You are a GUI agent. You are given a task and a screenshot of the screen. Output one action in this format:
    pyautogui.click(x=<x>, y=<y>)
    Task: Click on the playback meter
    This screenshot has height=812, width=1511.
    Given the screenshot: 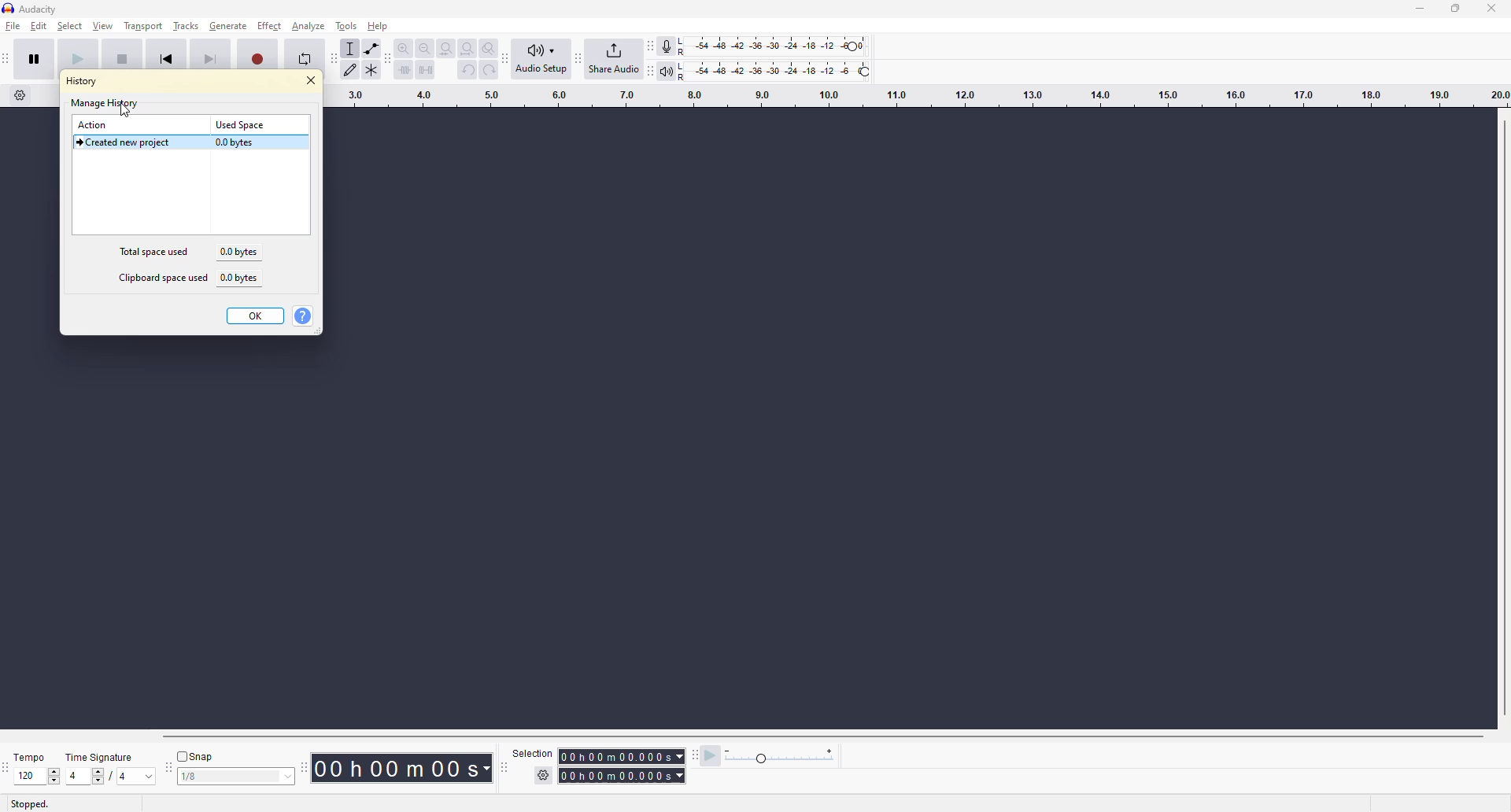 What is the action you would take?
    pyautogui.click(x=671, y=69)
    